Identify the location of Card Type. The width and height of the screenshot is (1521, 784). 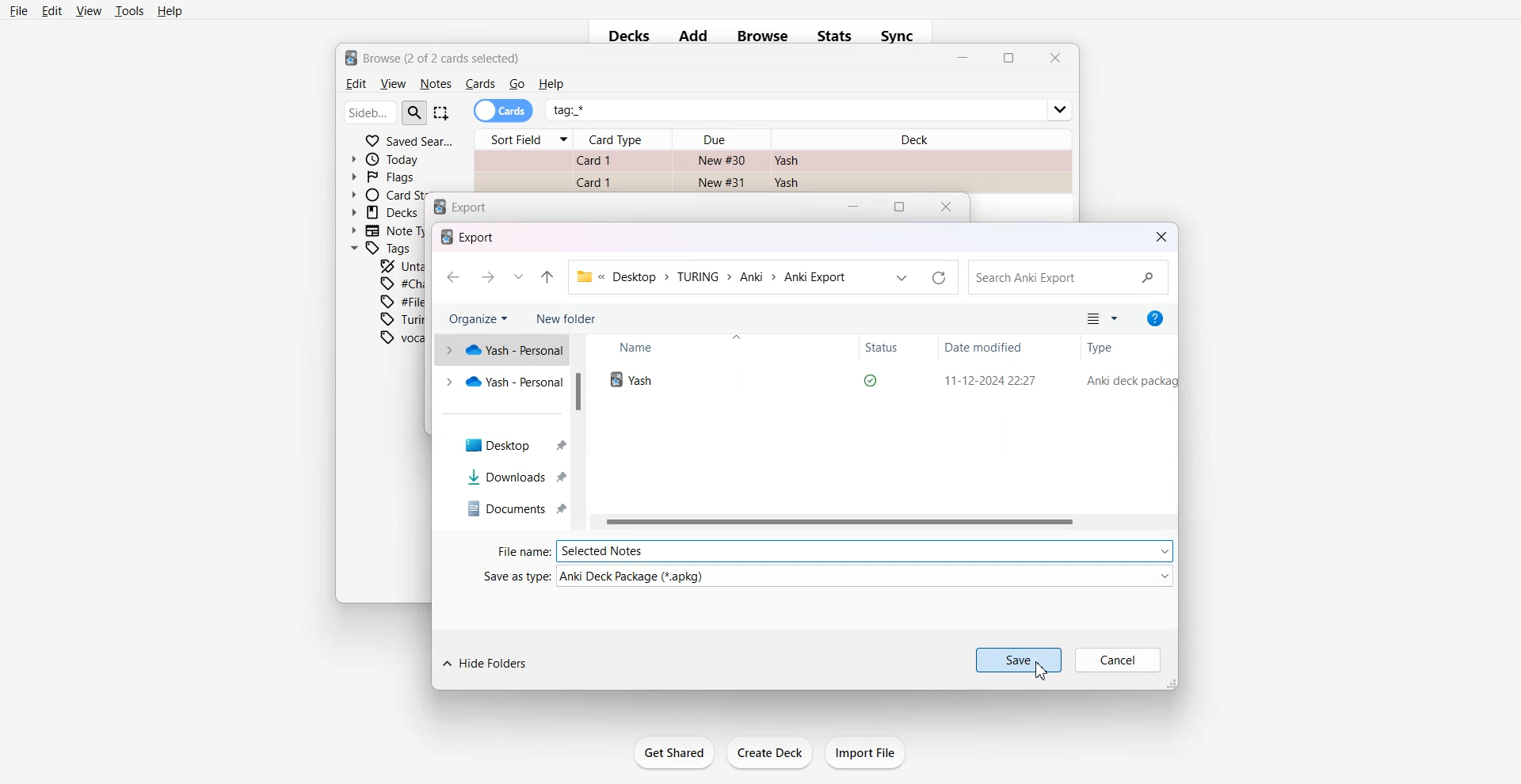
(624, 139).